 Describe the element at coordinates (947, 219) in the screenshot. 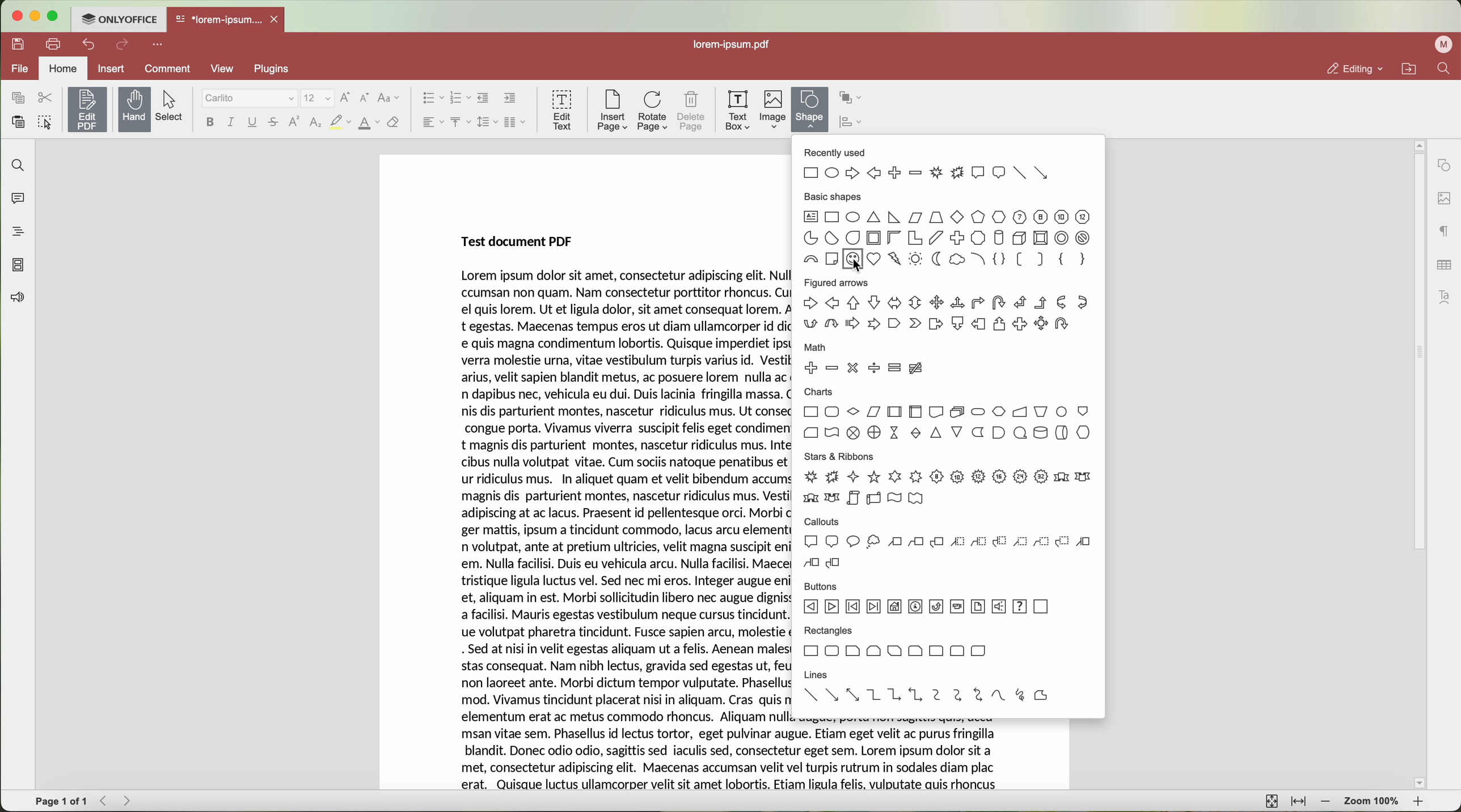

I see `basic shapes` at that location.